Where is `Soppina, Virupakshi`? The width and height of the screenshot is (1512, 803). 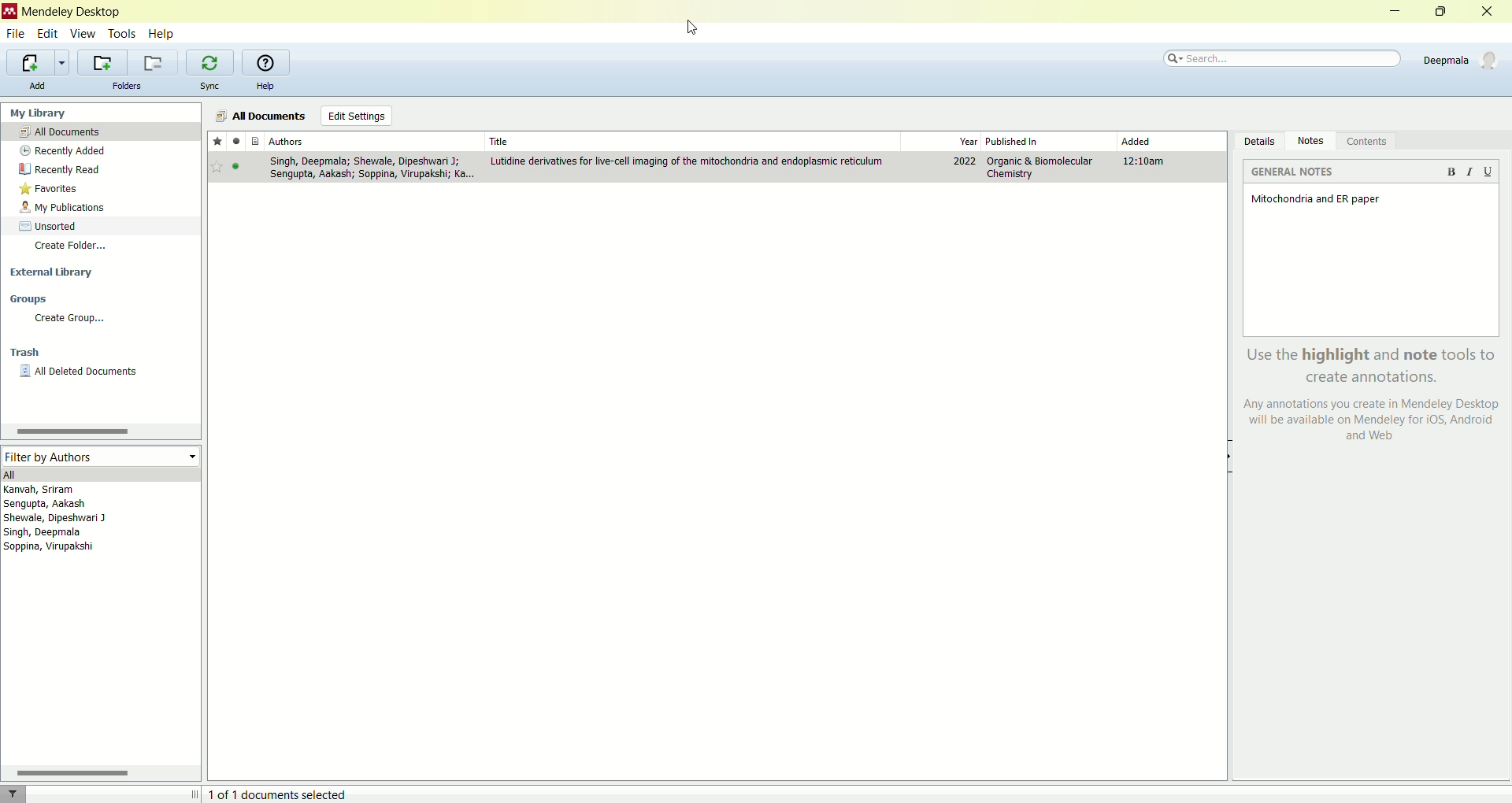 Soppina, Virupakshi is located at coordinates (49, 549).